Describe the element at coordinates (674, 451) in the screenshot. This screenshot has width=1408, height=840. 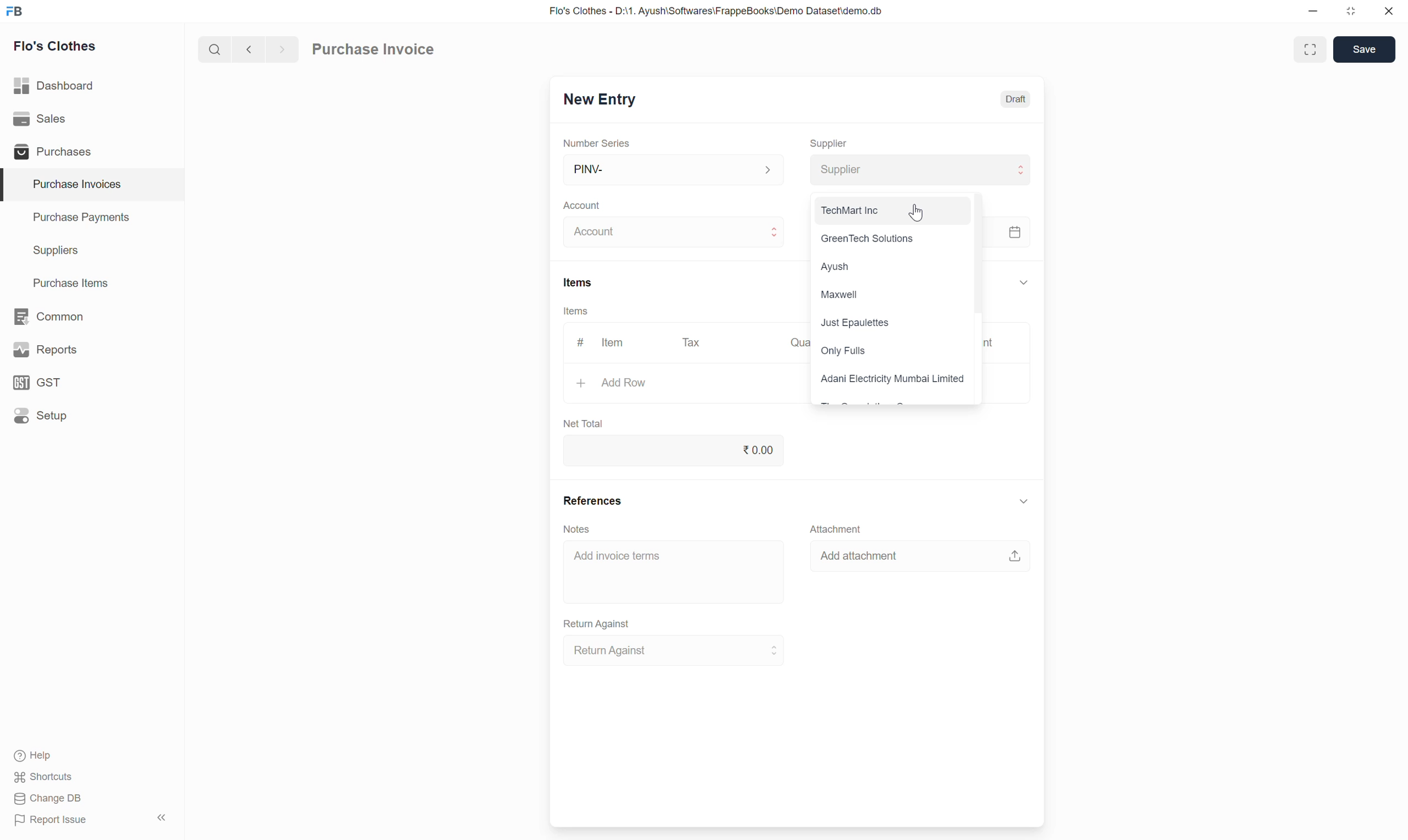
I see `0.00` at that location.